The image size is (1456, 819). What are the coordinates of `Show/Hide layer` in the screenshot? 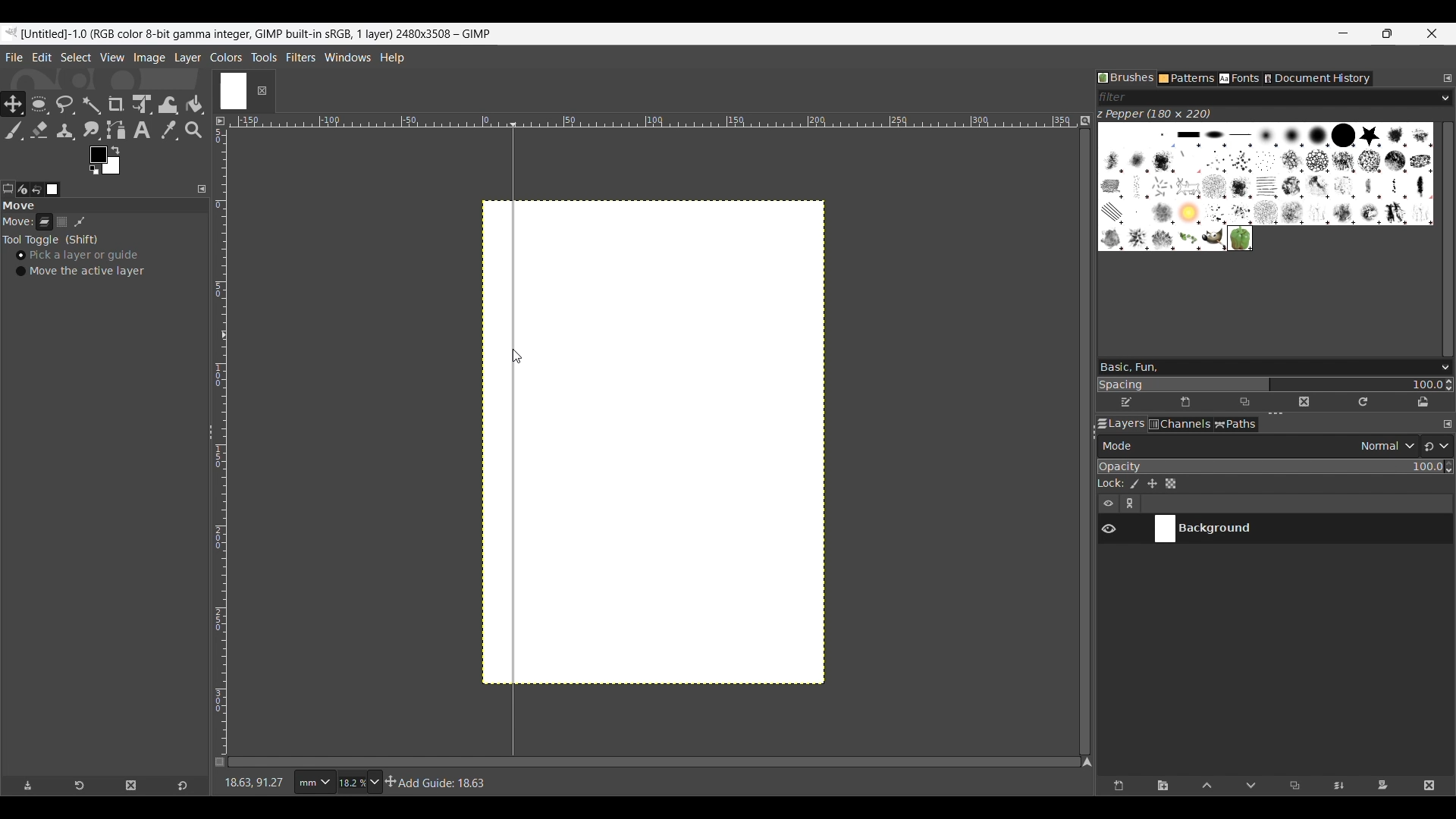 It's located at (1109, 529).